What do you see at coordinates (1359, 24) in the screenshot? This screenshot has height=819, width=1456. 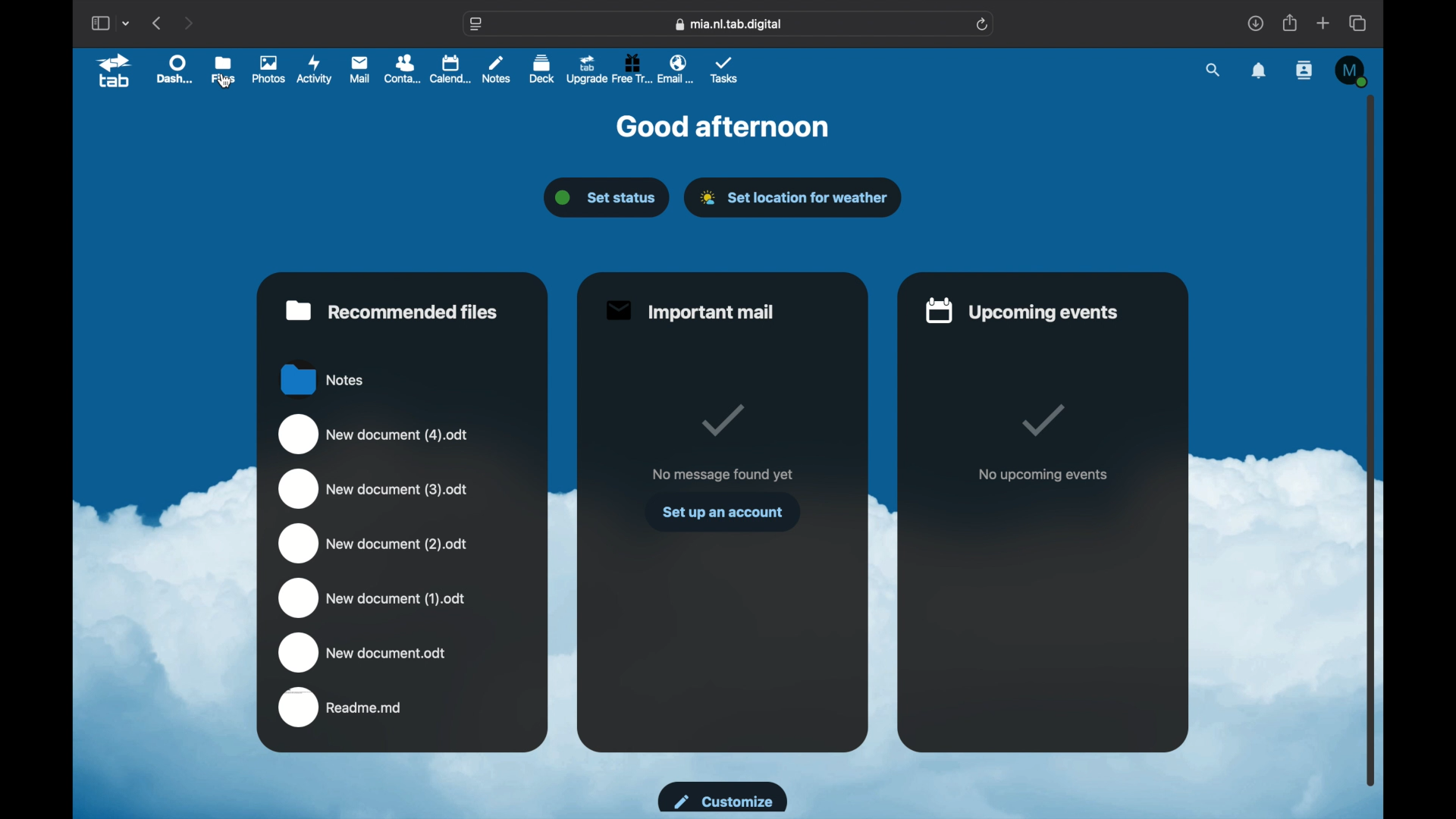 I see `show tab overview` at bounding box center [1359, 24].